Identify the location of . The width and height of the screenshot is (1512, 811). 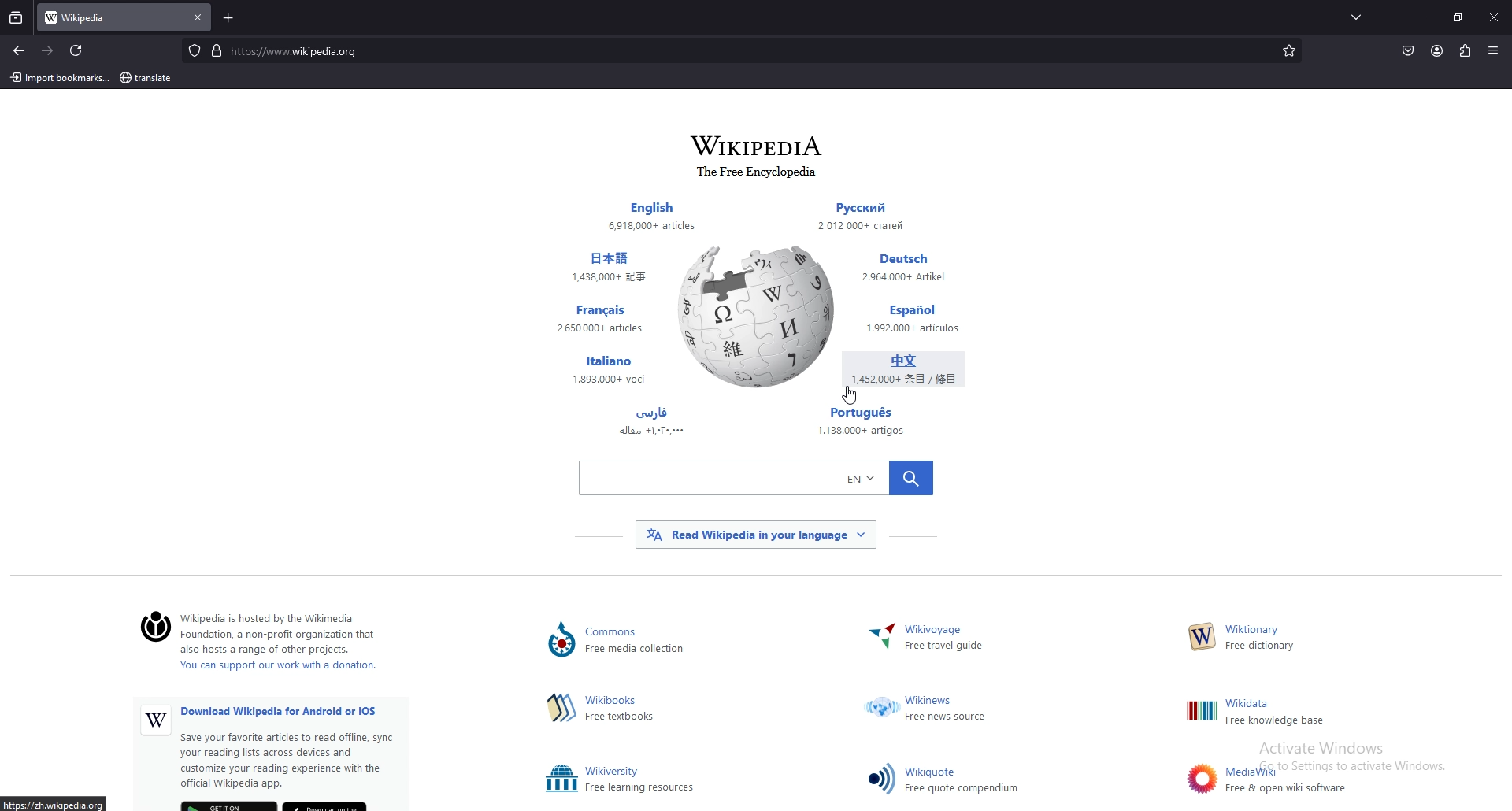
(921, 321).